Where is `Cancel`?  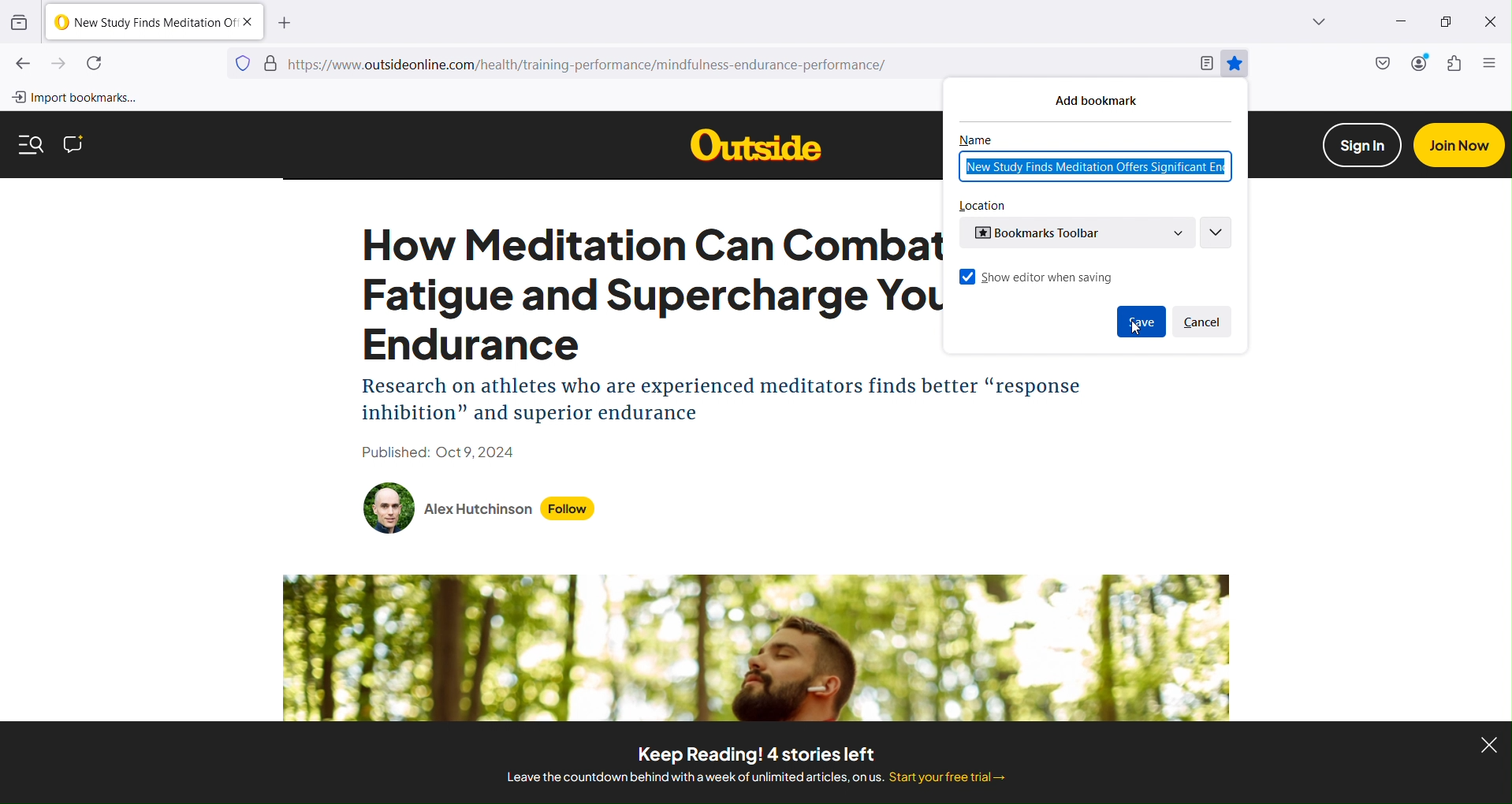
Cancel is located at coordinates (1203, 322).